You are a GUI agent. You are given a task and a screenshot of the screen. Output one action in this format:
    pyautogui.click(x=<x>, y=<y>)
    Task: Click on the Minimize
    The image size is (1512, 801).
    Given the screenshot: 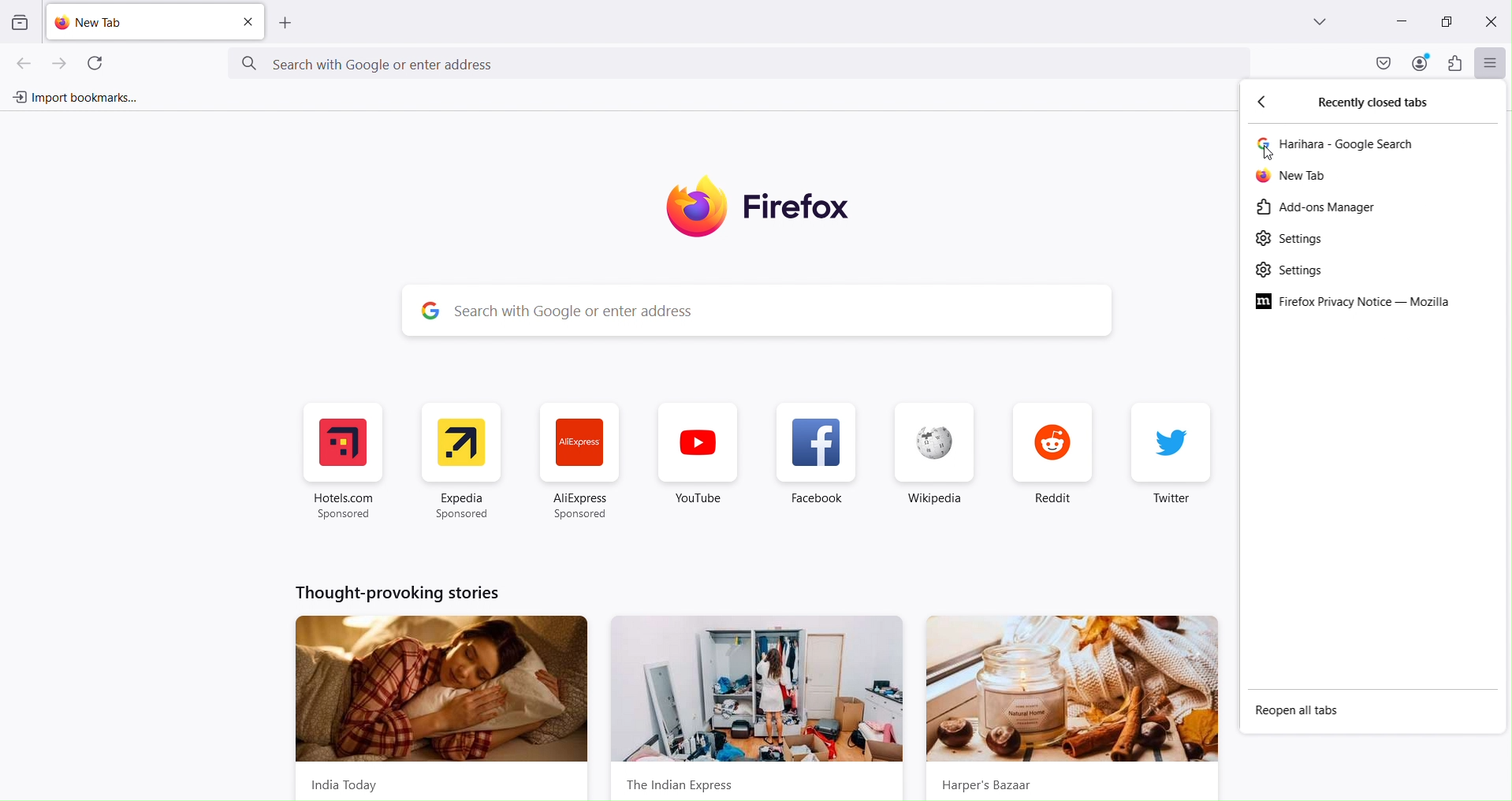 What is the action you would take?
    pyautogui.click(x=1400, y=22)
    